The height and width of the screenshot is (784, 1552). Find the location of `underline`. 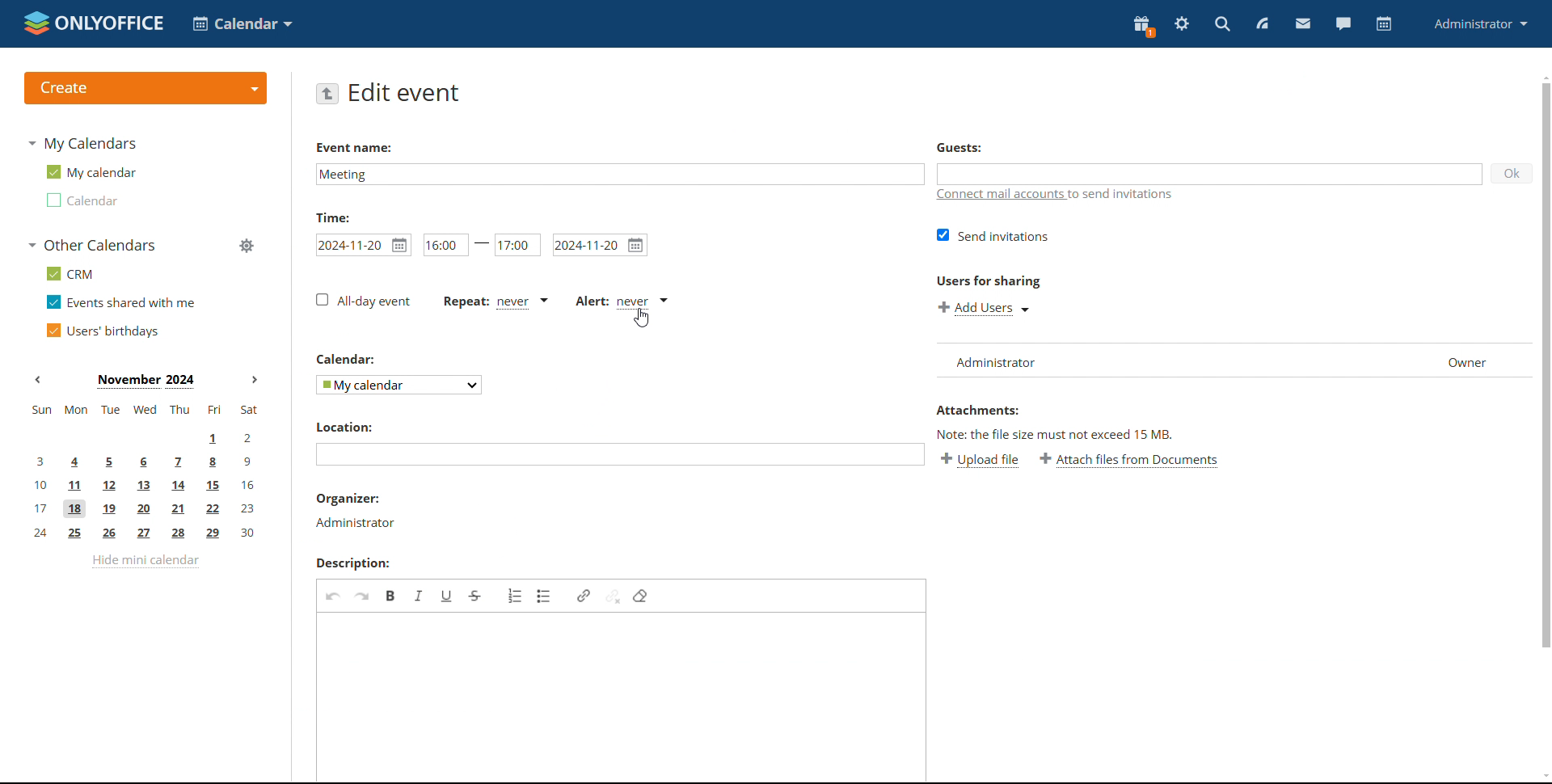

underline is located at coordinates (448, 595).